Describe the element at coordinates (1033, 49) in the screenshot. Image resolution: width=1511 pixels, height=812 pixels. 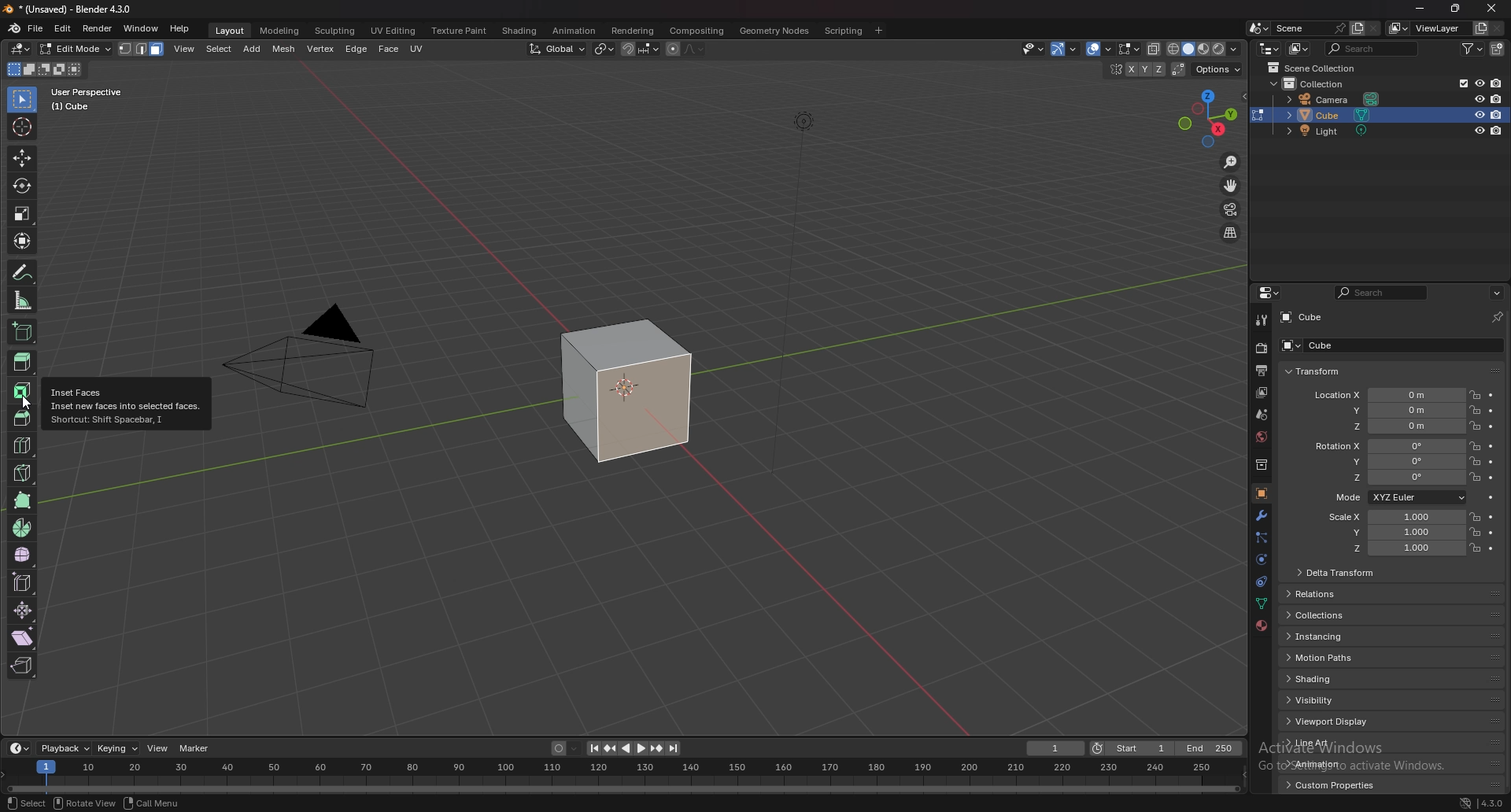
I see `selectibility and visibility` at that location.